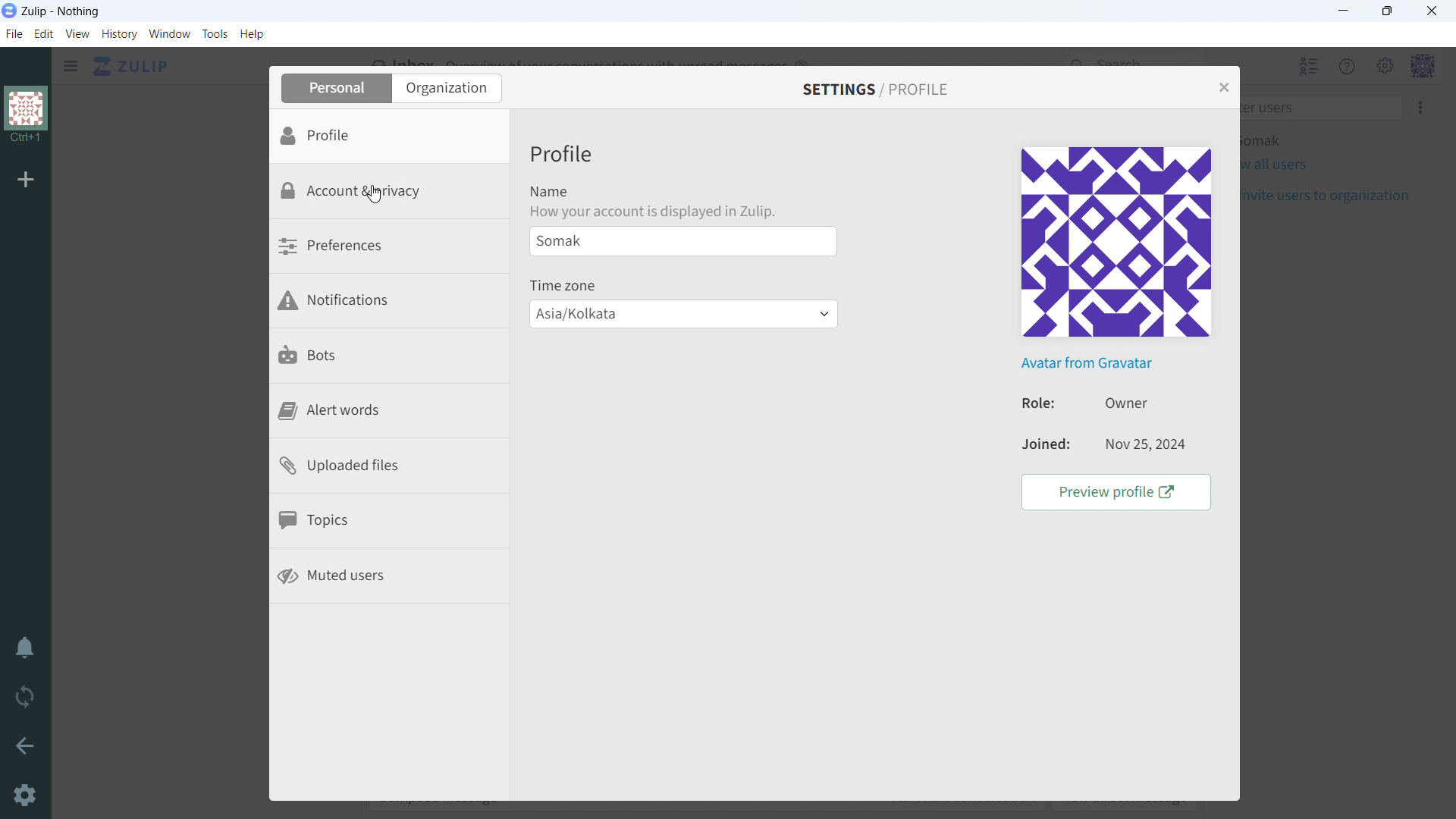 This screenshot has width=1456, height=819. I want to click on settings, so click(27, 797).